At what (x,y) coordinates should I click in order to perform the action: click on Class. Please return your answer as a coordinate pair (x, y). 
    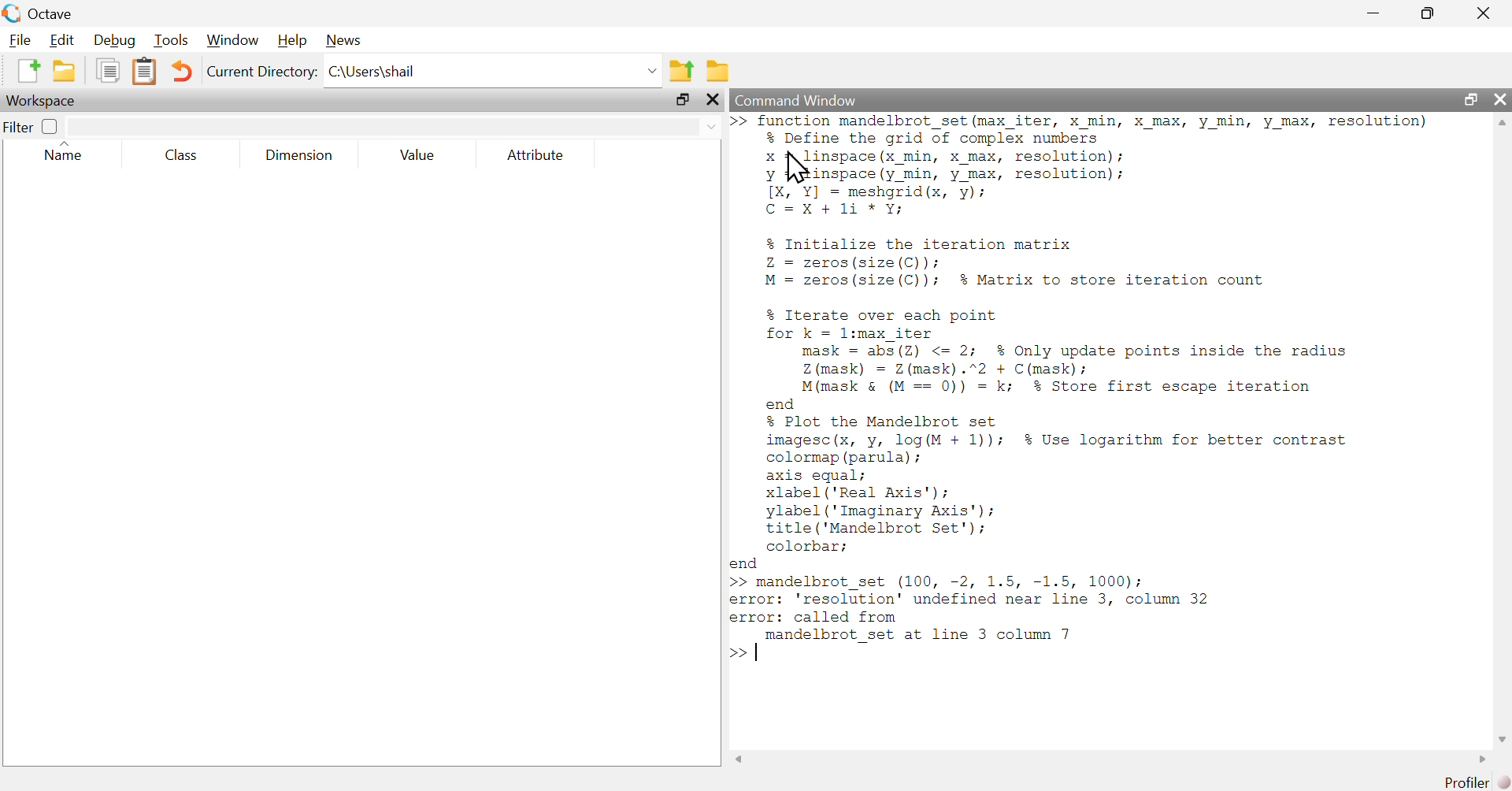
    Looking at the image, I should click on (182, 154).